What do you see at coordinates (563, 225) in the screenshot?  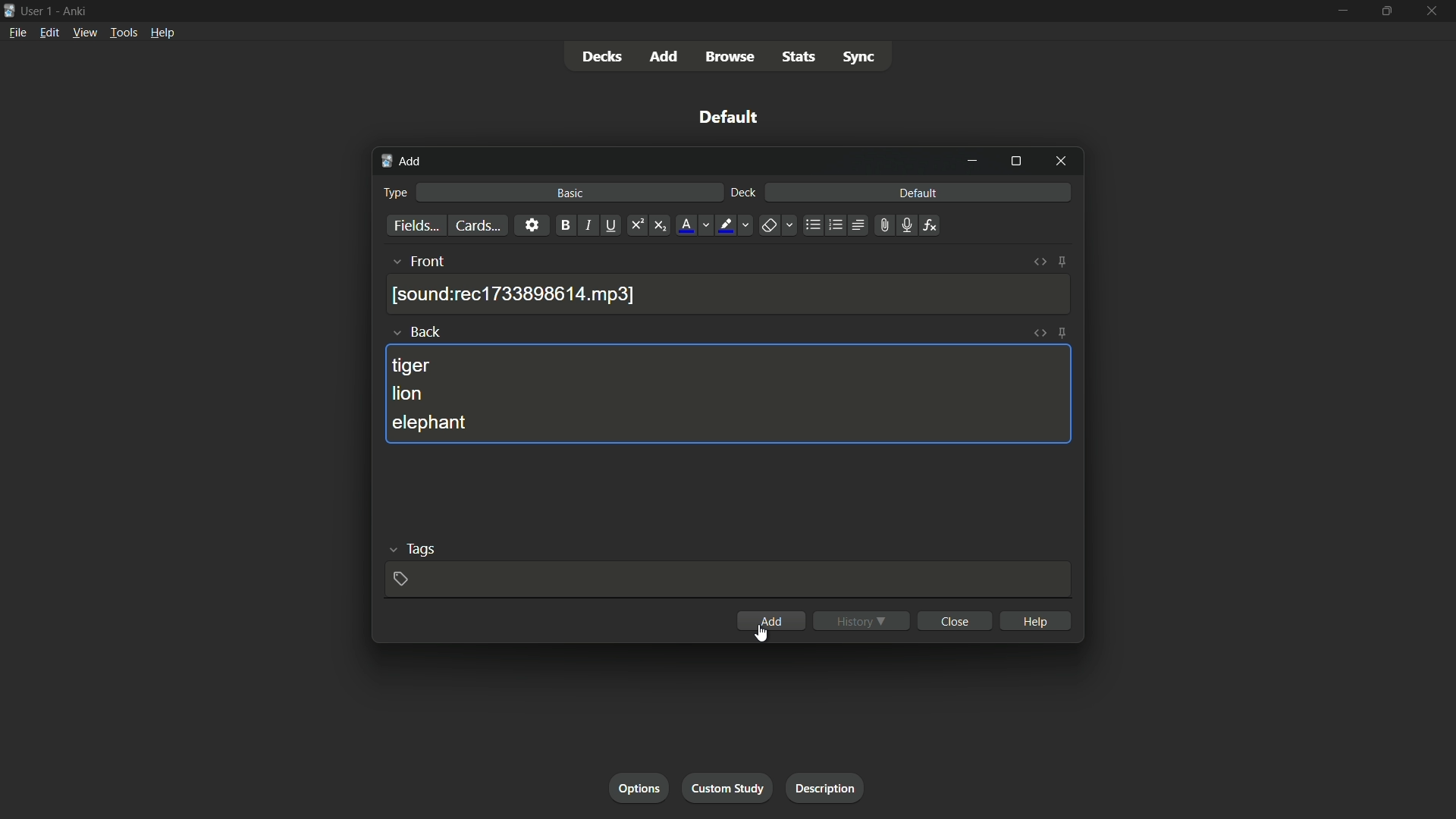 I see `bold` at bounding box center [563, 225].